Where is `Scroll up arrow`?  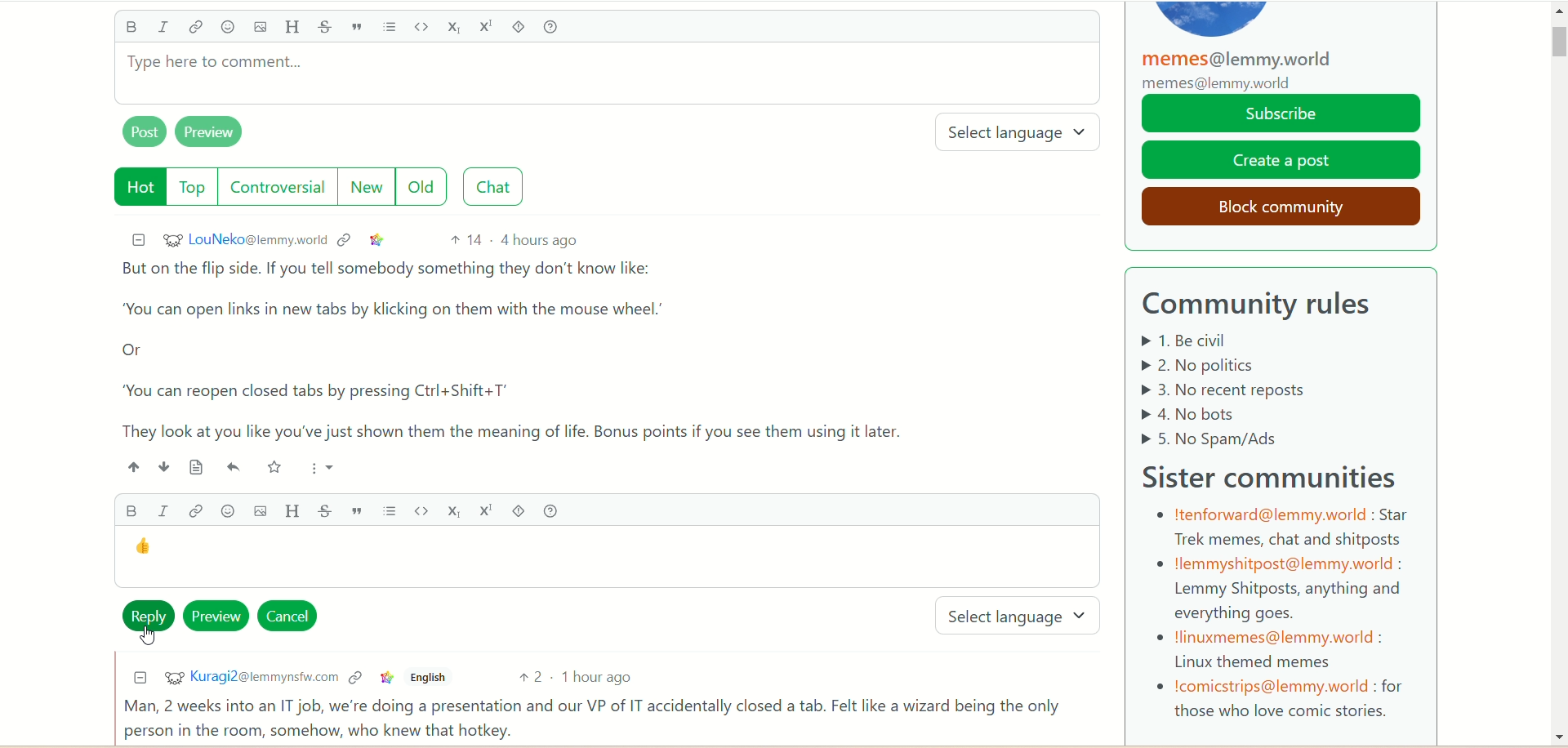
Scroll up arrow is located at coordinates (1557, 13).